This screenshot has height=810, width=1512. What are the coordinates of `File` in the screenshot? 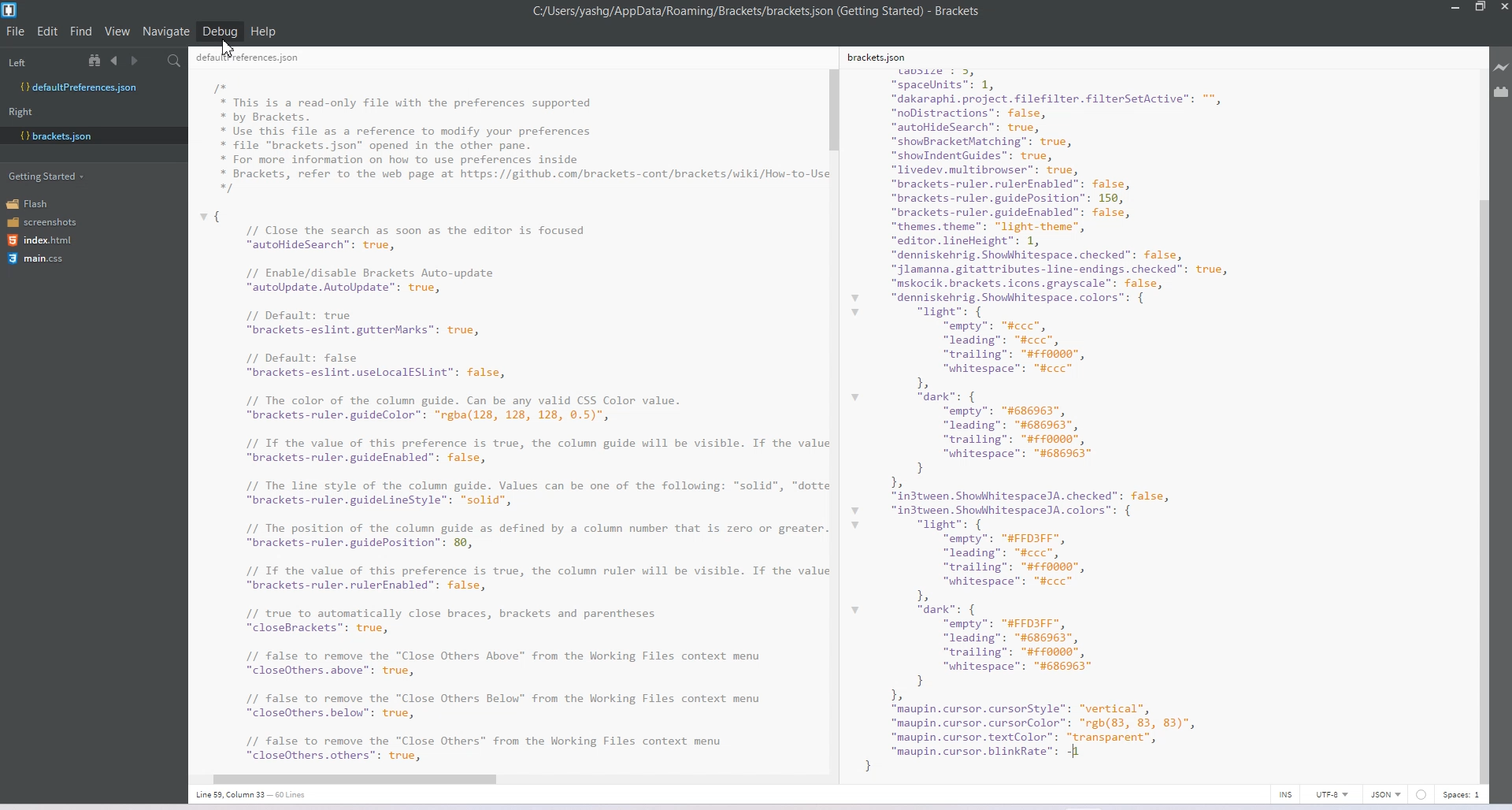 It's located at (16, 31).